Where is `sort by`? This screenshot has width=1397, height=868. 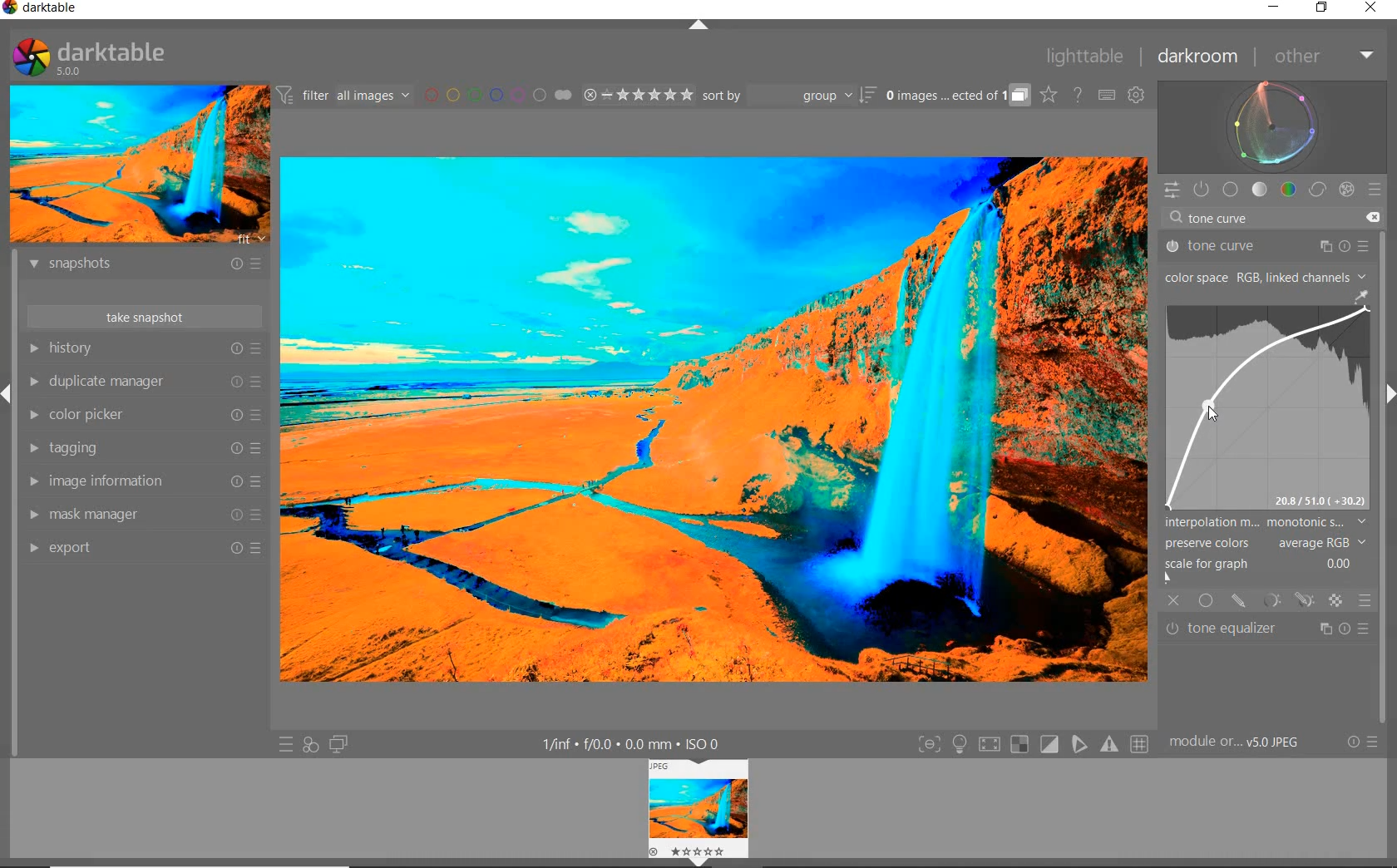
sort by is located at coordinates (789, 95).